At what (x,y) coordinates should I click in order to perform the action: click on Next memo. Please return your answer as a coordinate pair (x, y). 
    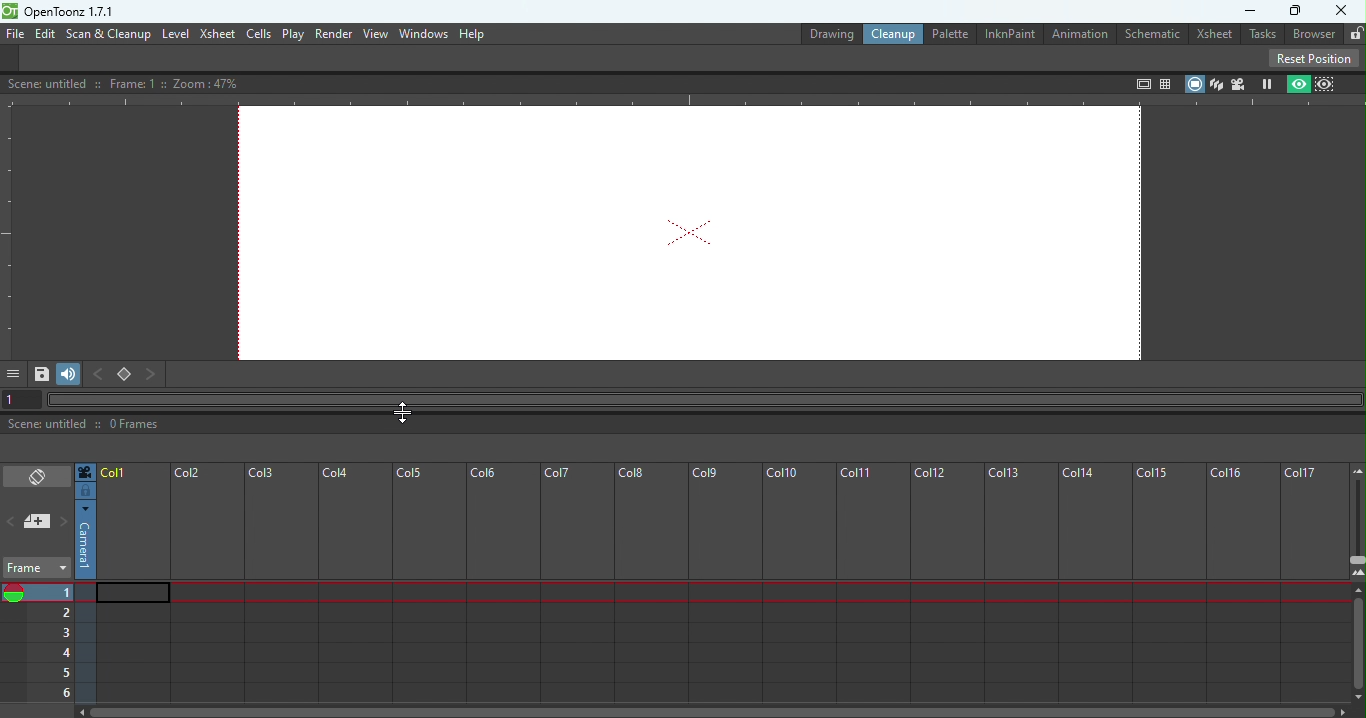
    Looking at the image, I should click on (62, 525).